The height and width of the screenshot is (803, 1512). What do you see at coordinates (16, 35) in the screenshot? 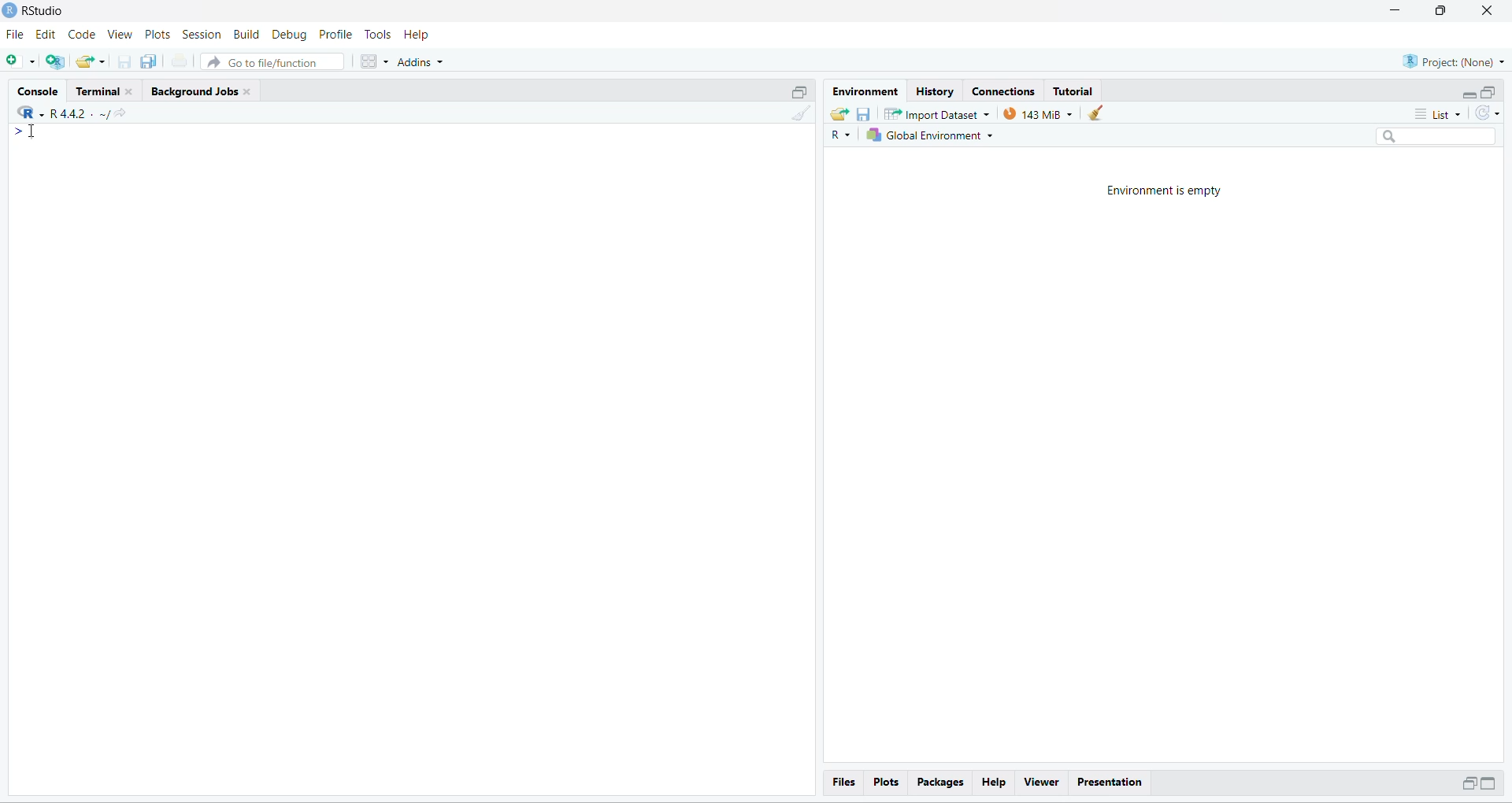
I see `file` at bounding box center [16, 35].